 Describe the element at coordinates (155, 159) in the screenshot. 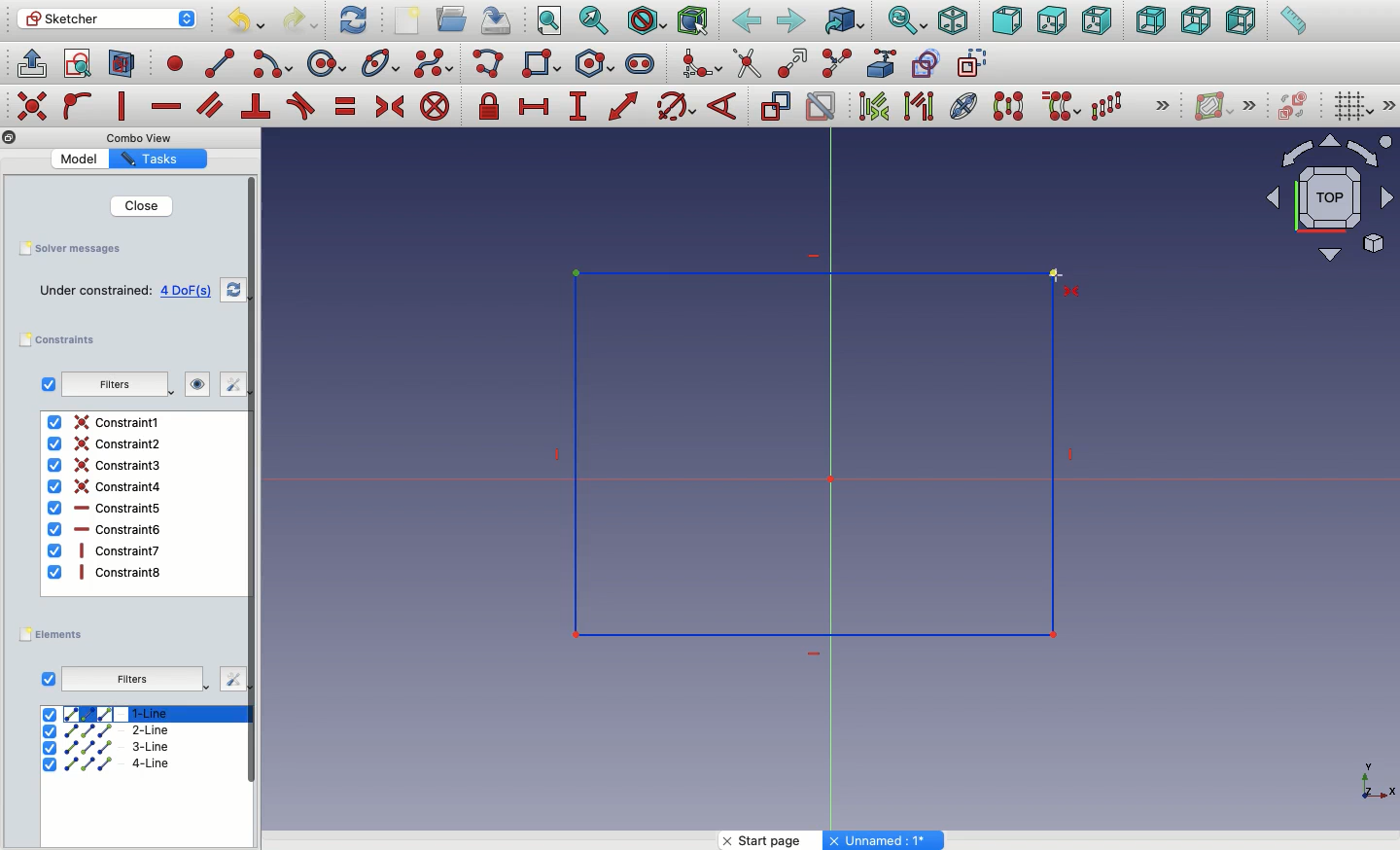

I see `Tasks` at that location.